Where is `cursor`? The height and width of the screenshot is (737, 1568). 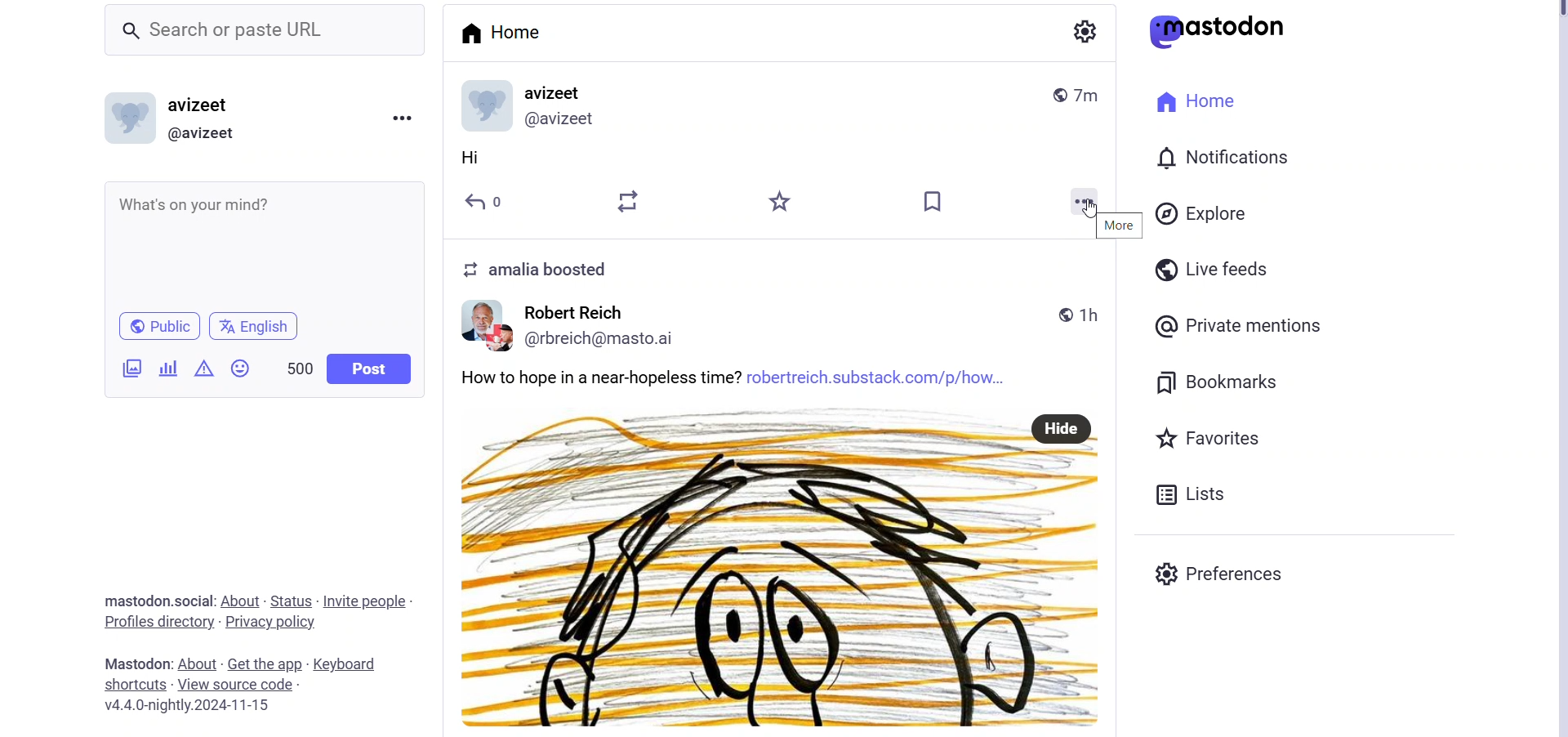
cursor is located at coordinates (1087, 208).